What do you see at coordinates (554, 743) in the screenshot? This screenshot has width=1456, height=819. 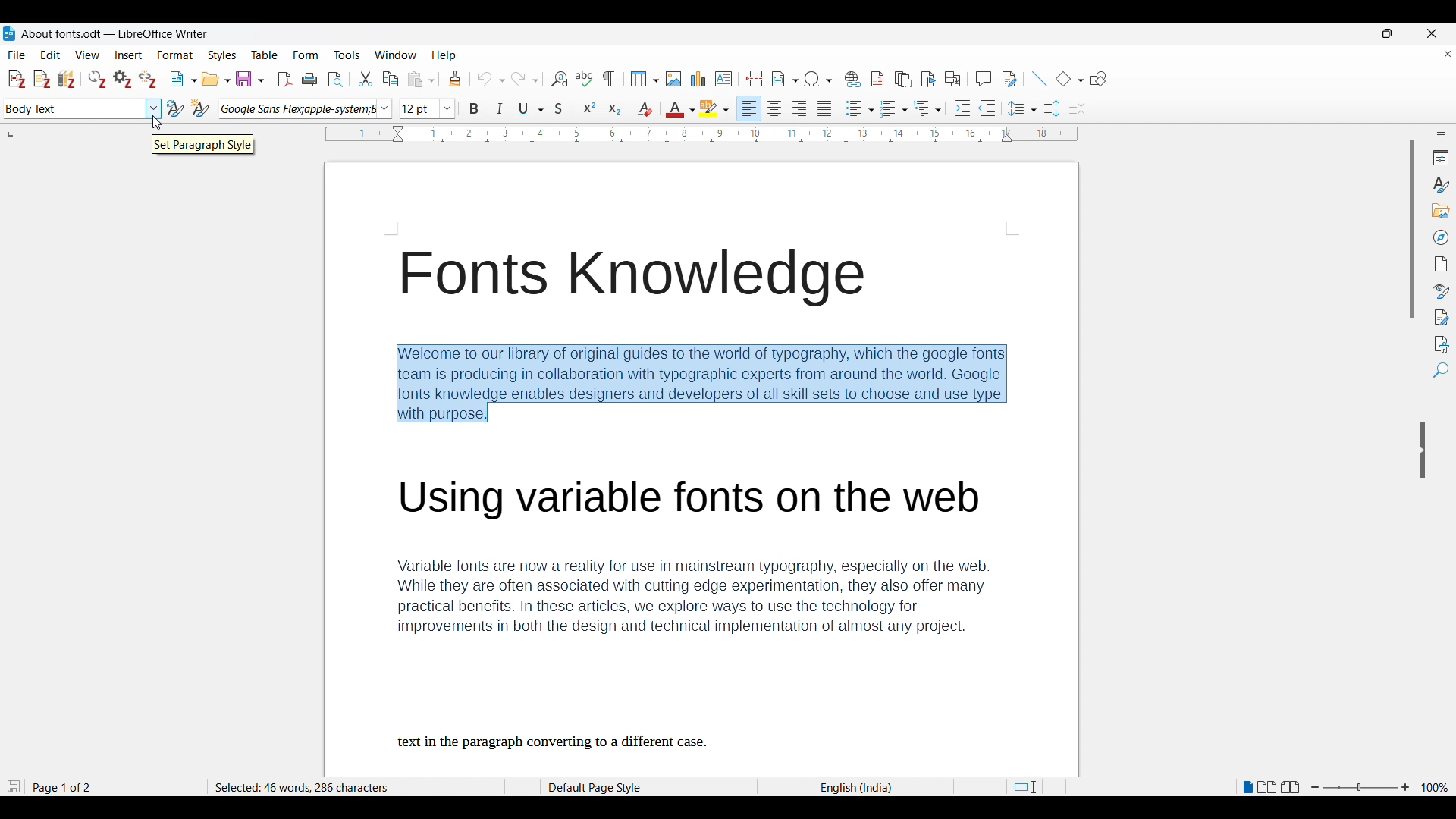 I see `text in the paragraph converting to a different case.` at bounding box center [554, 743].